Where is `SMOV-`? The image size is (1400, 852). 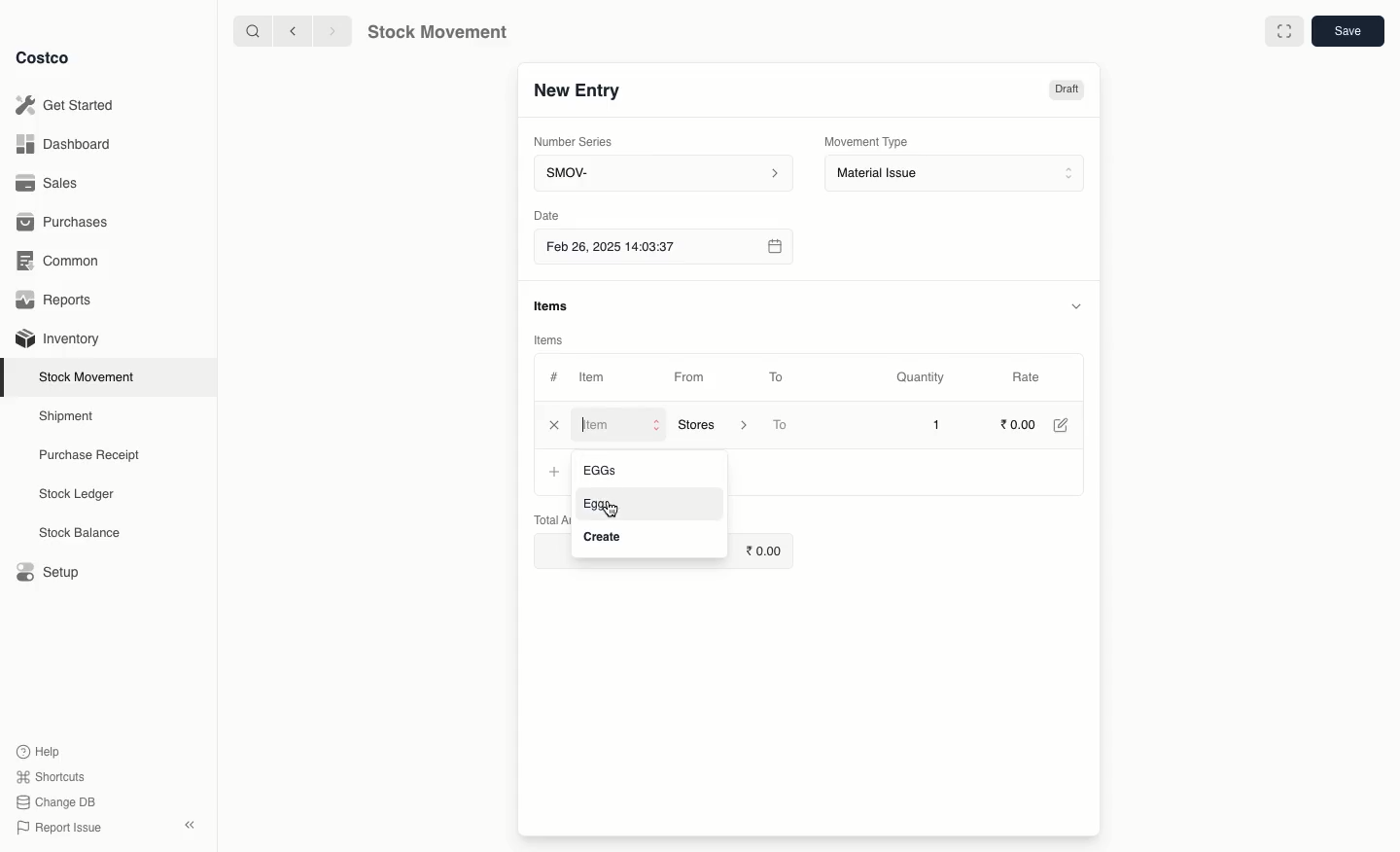
SMOV- is located at coordinates (663, 172).